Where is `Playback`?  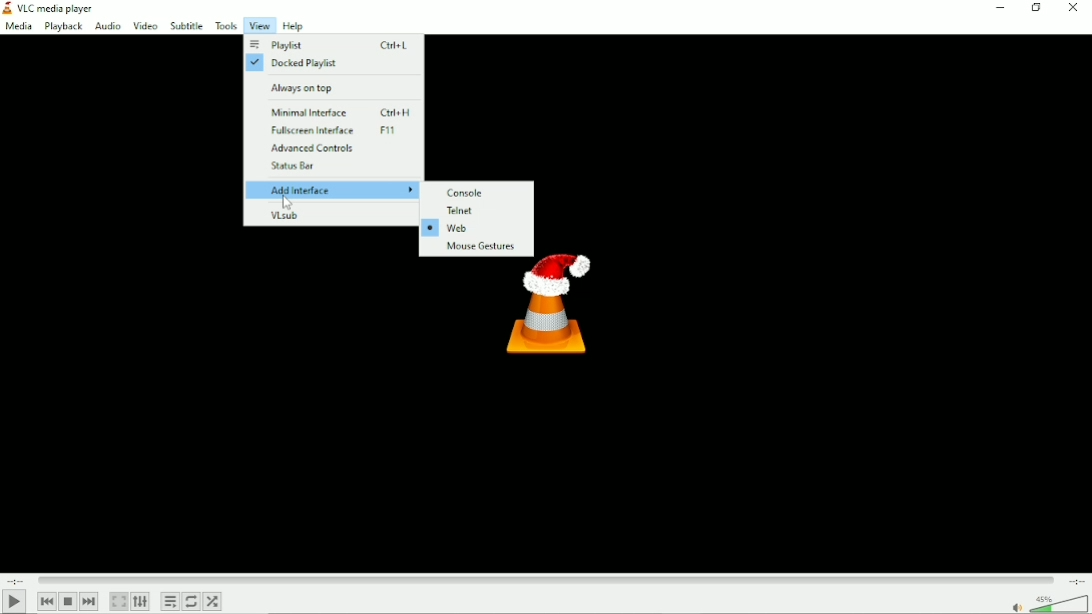
Playback is located at coordinates (62, 27).